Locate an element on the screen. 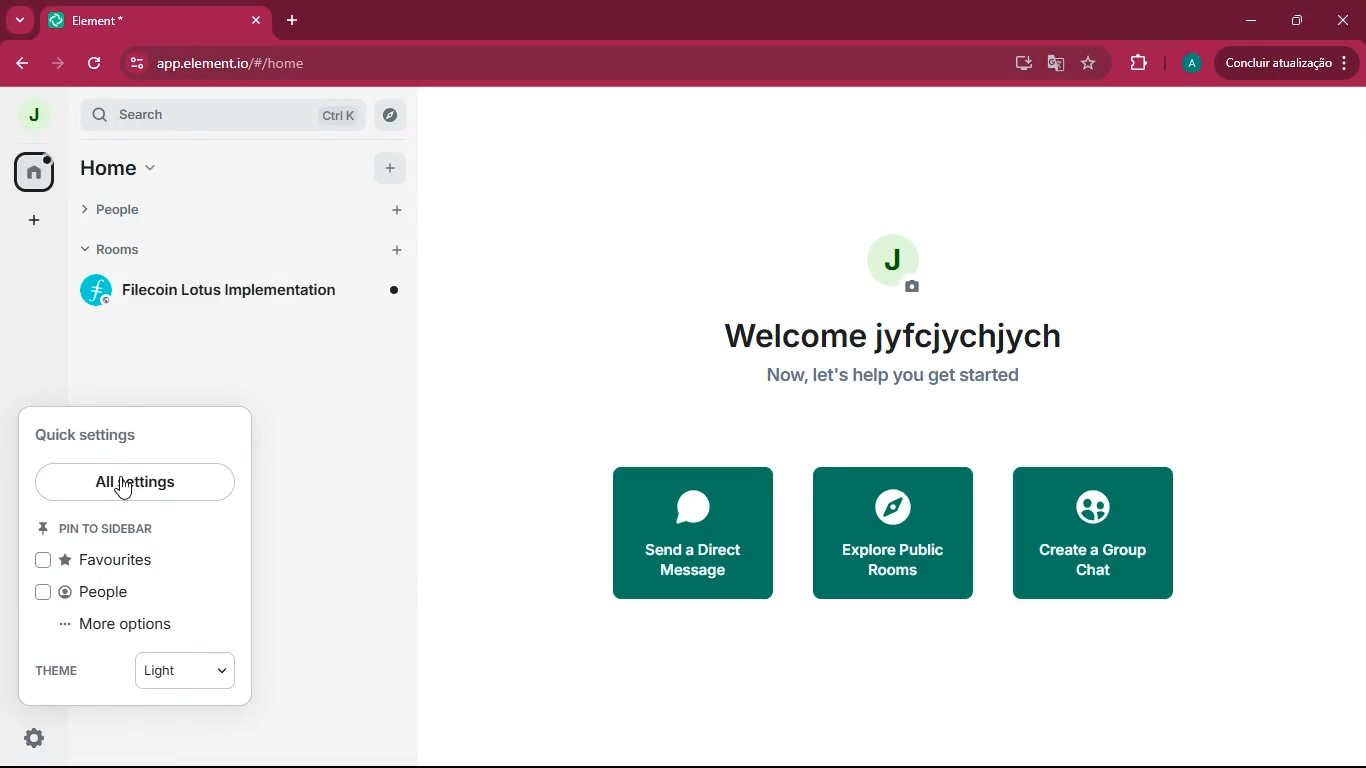 Image resolution: width=1366 pixels, height=768 pixels. more options is located at coordinates (124, 628).